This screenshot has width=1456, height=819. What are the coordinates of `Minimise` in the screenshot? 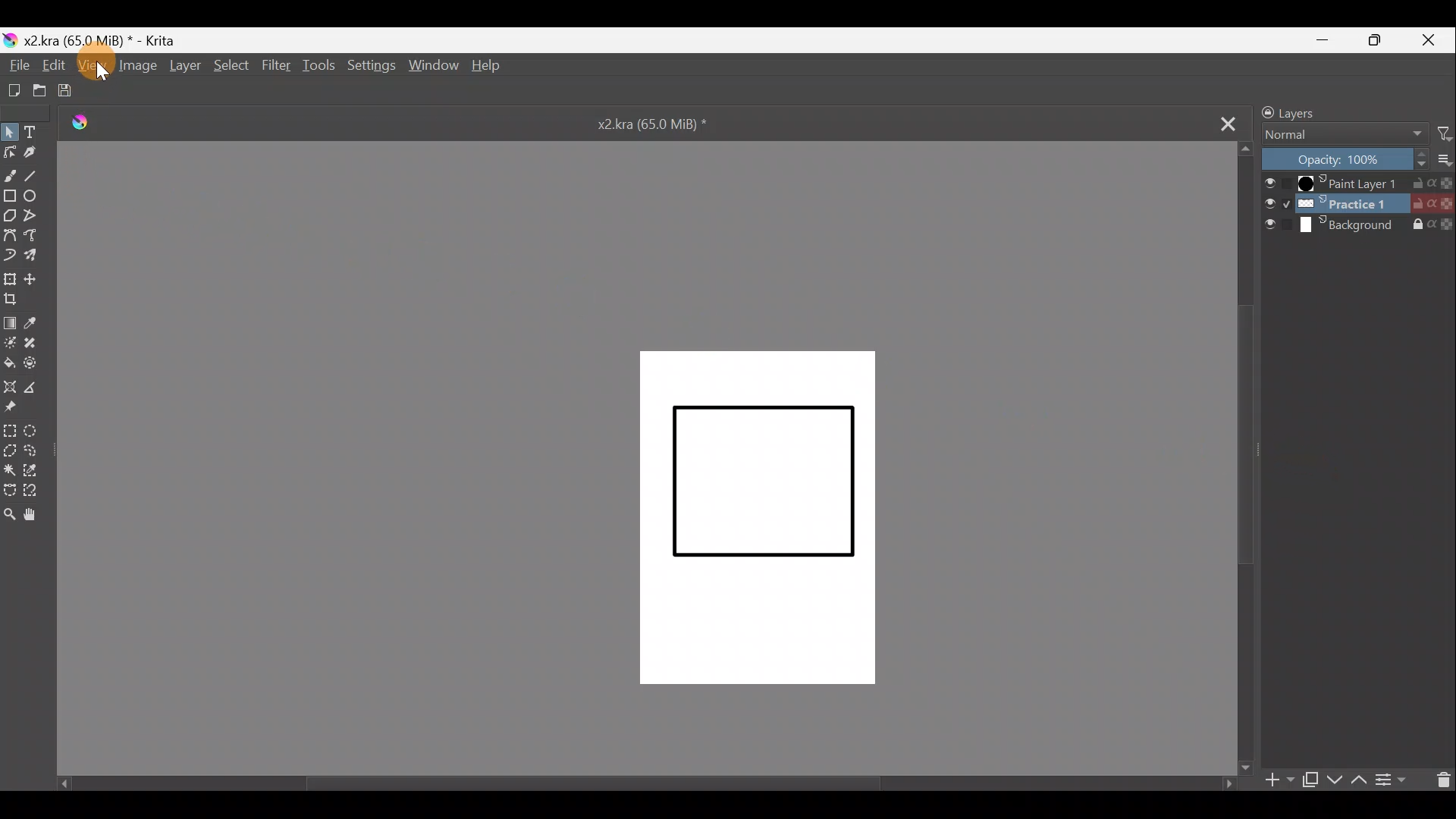 It's located at (1326, 39).